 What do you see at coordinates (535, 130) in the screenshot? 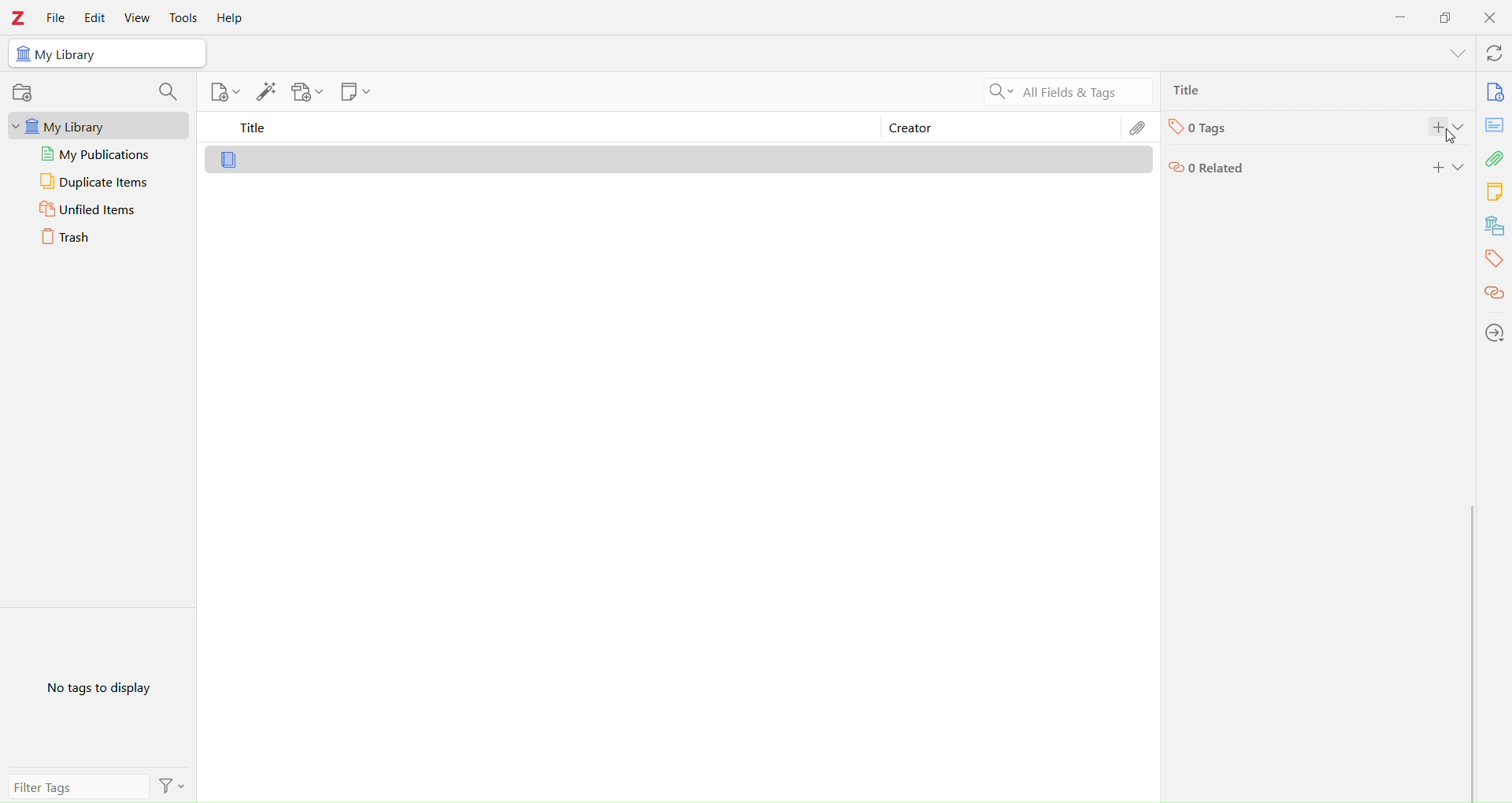
I see `Title` at bounding box center [535, 130].